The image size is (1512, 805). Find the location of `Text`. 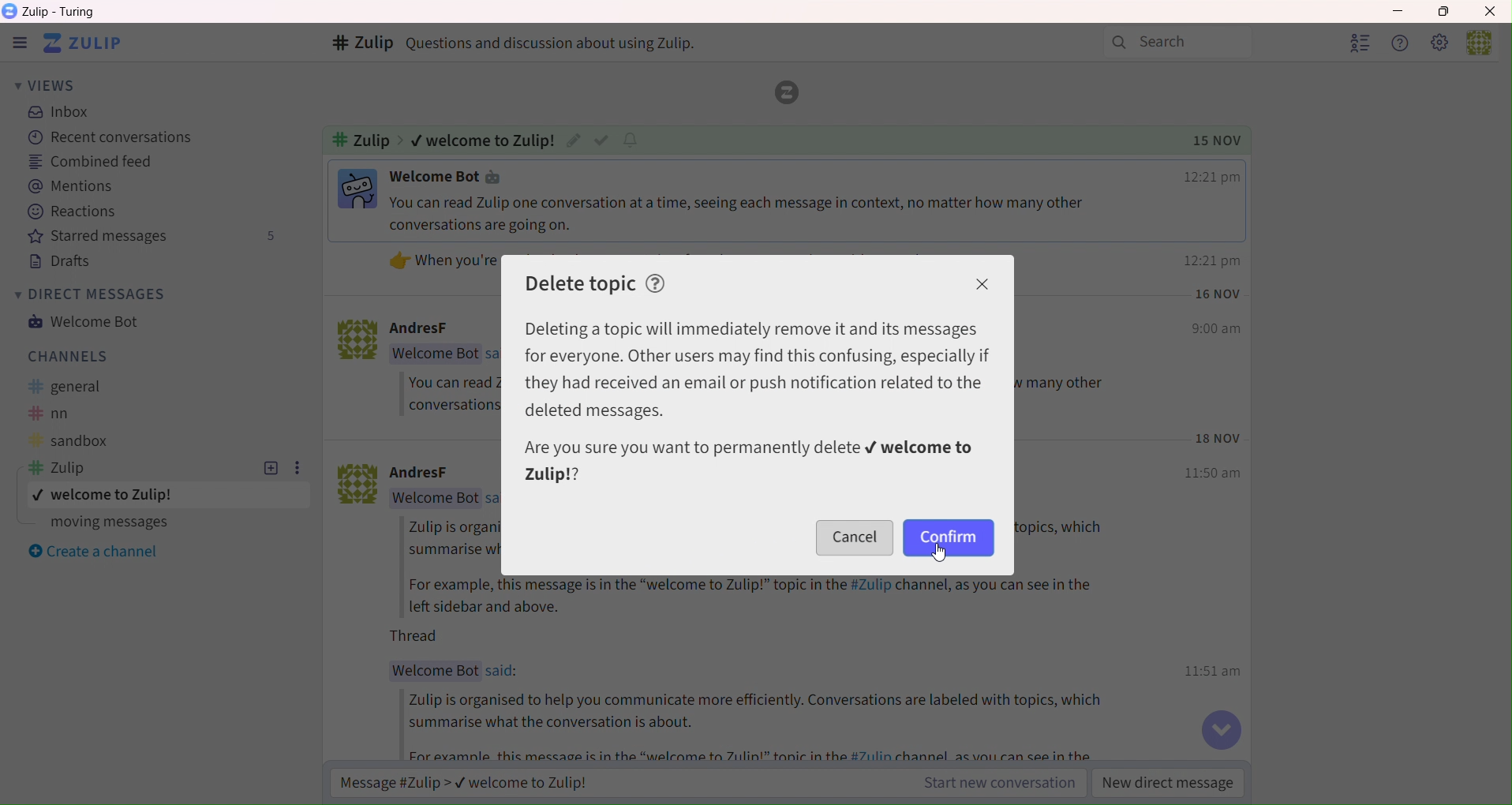

Text is located at coordinates (485, 140).